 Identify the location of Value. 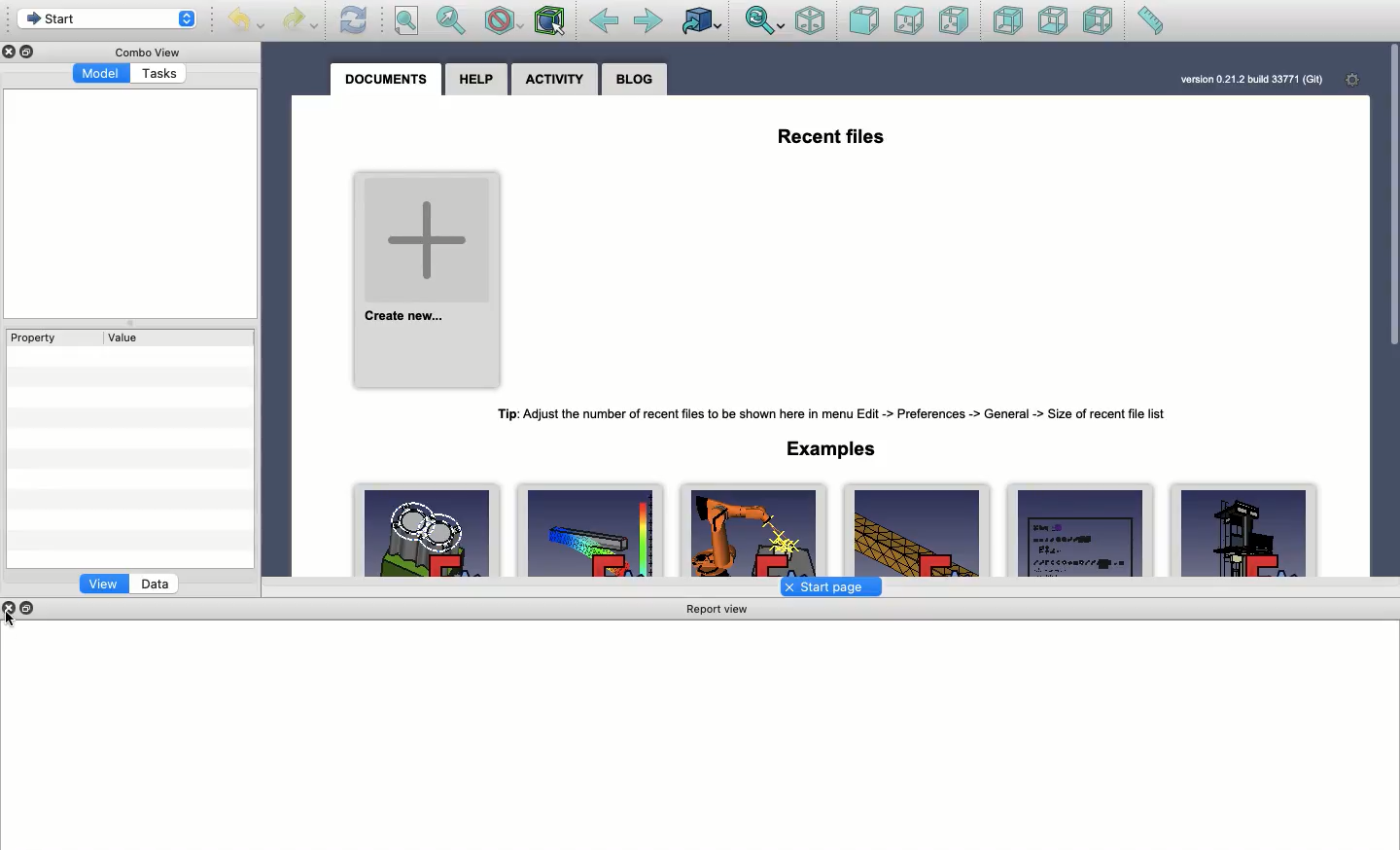
(122, 339).